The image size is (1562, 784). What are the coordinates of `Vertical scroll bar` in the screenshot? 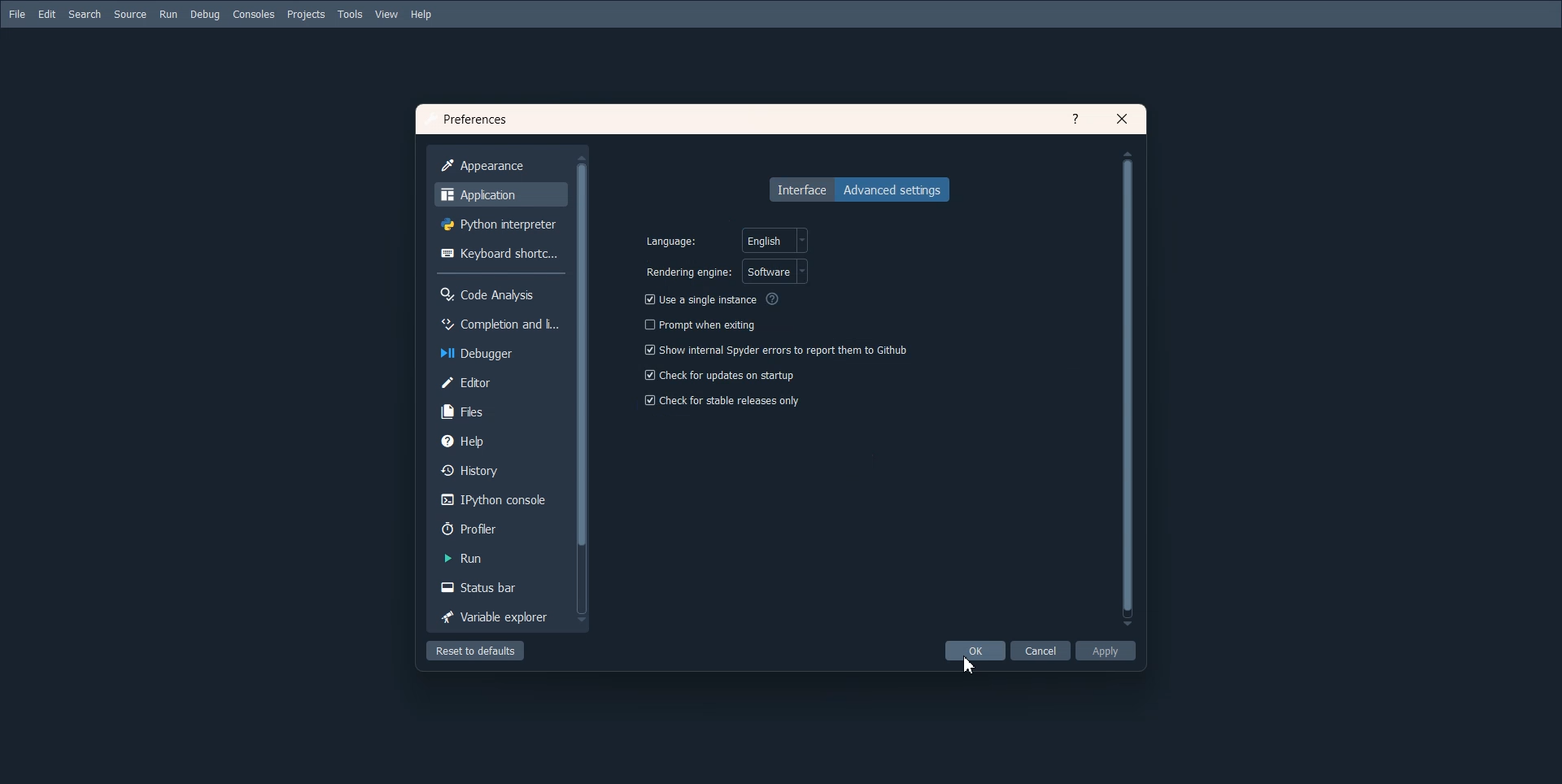 It's located at (1128, 387).